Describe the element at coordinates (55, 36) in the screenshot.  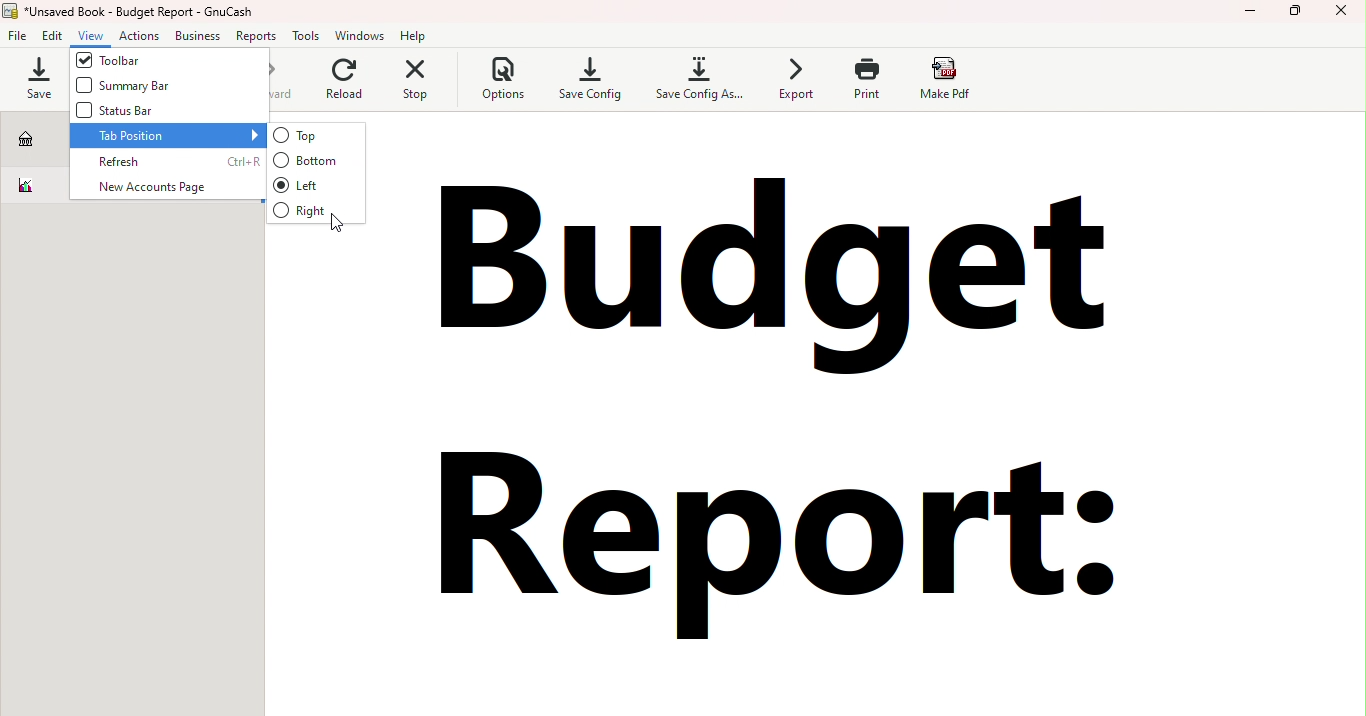
I see `Edit` at that location.